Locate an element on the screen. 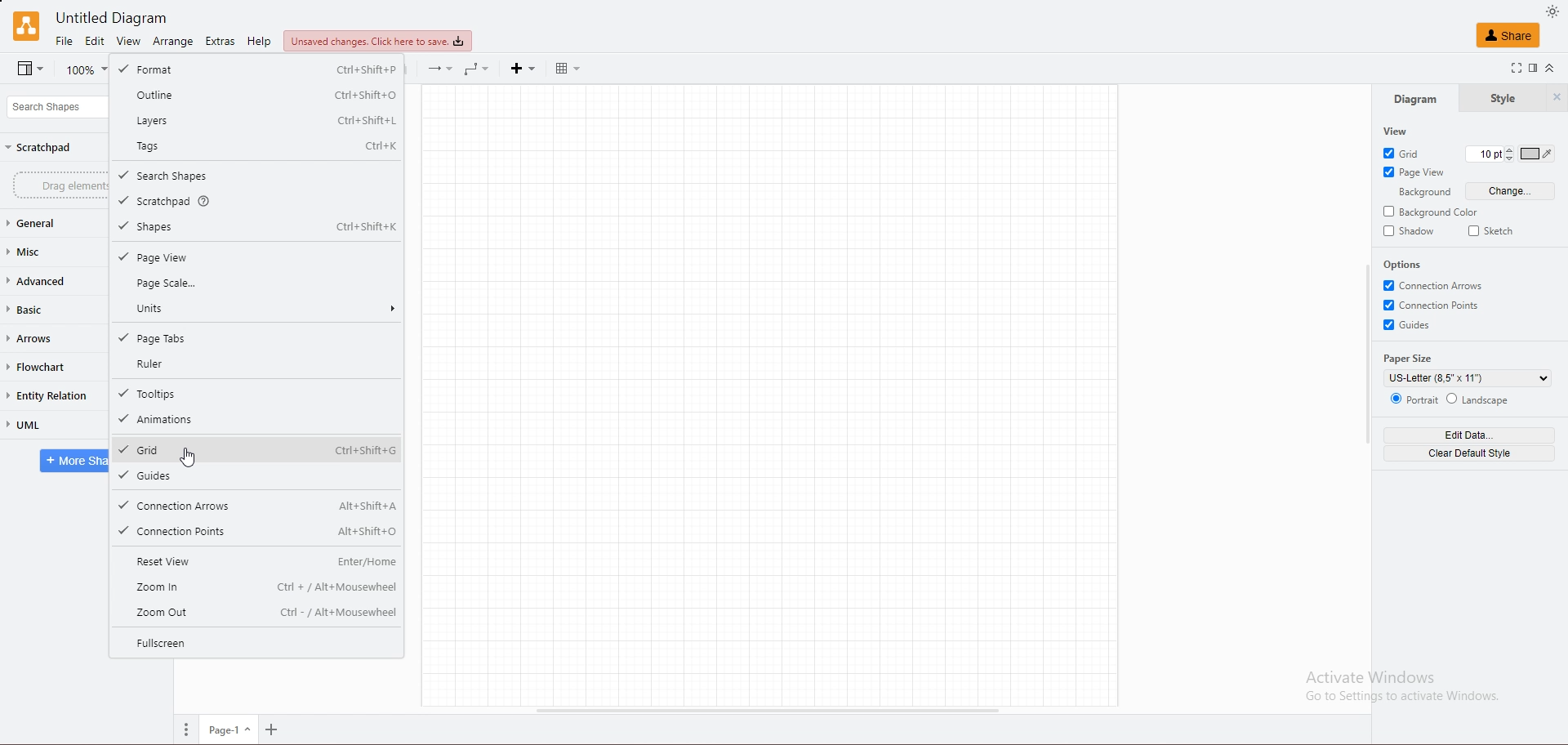  change is located at coordinates (1508, 190).